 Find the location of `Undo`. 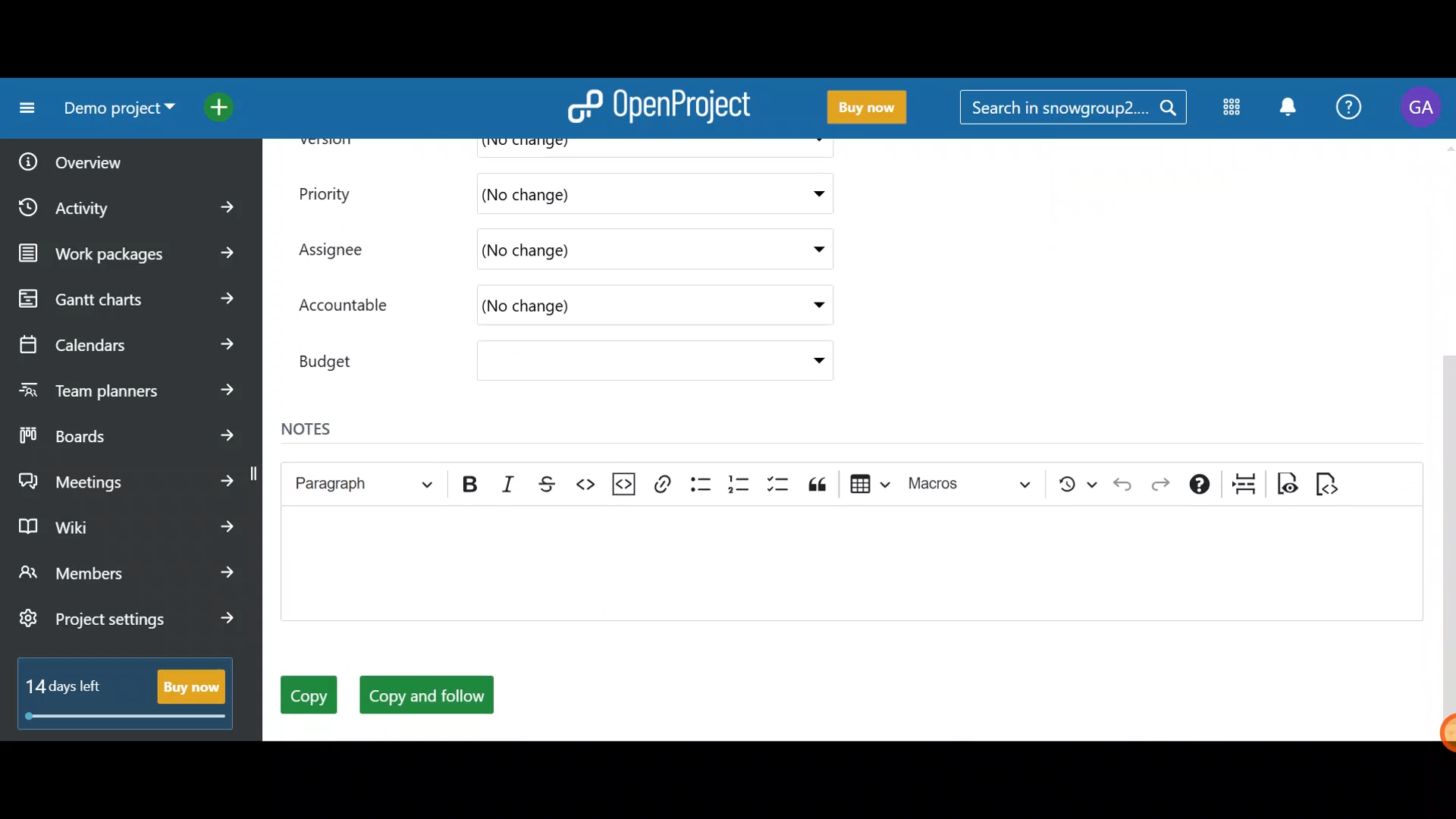

Undo is located at coordinates (1123, 486).